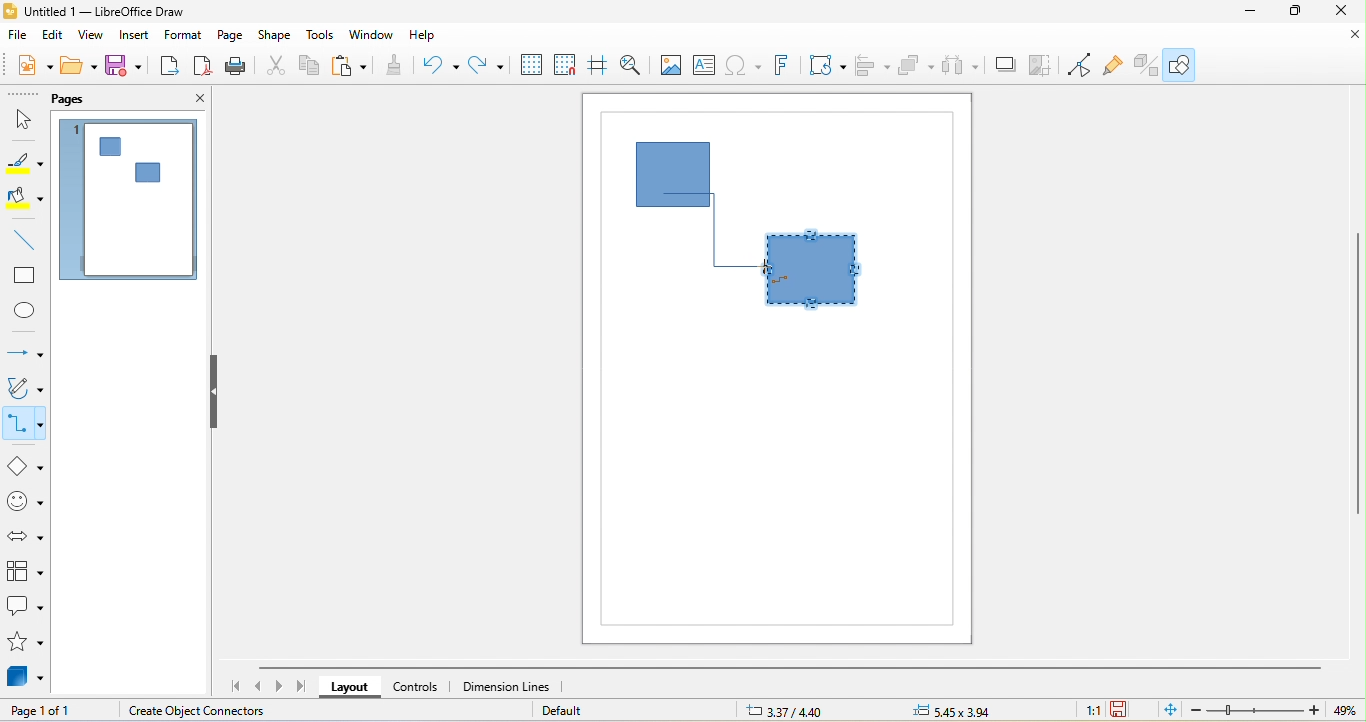  I want to click on edit, so click(57, 35).